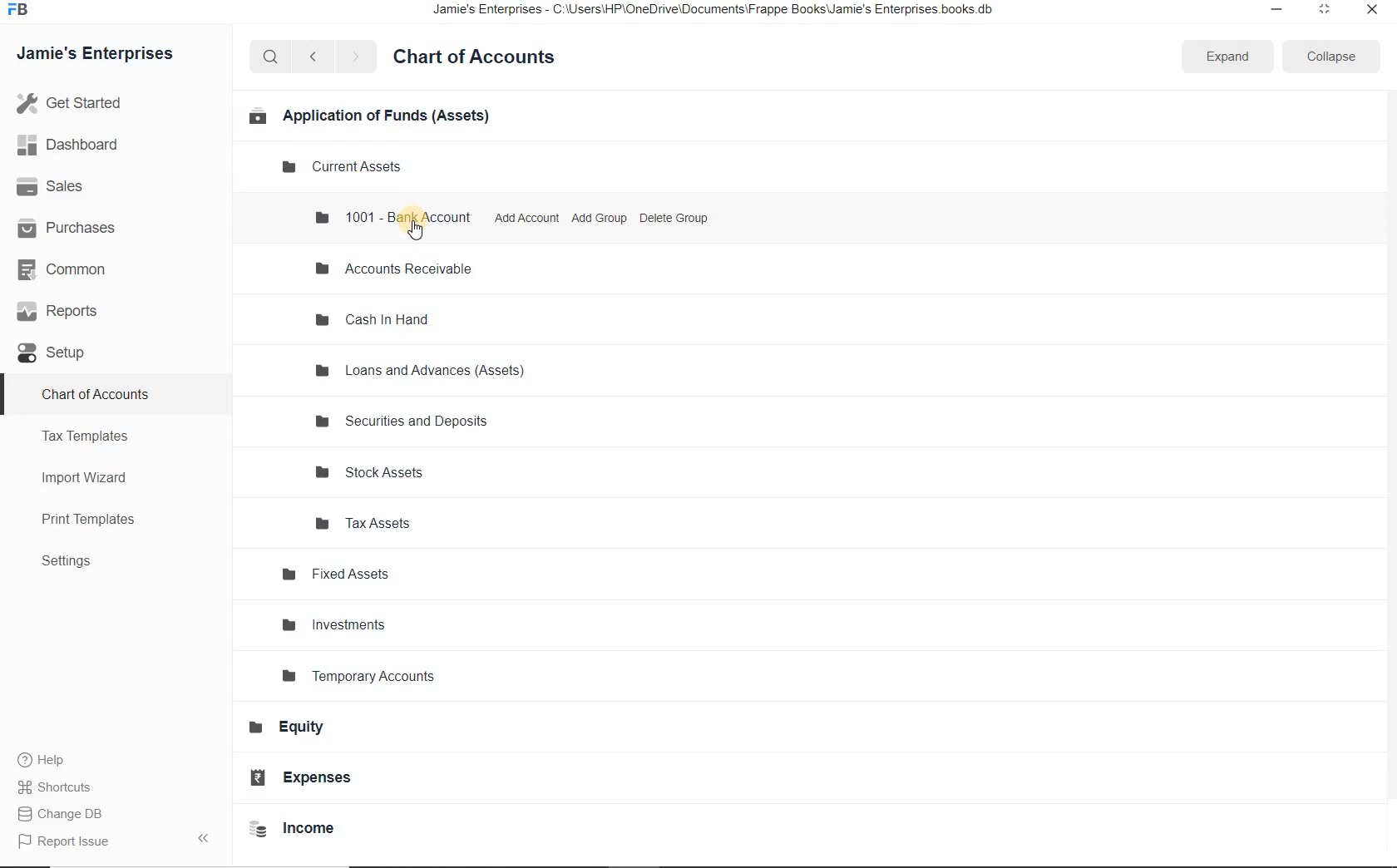 This screenshot has width=1397, height=868. What do you see at coordinates (75, 227) in the screenshot?
I see `Purchases` at bounding box center [75, 227].